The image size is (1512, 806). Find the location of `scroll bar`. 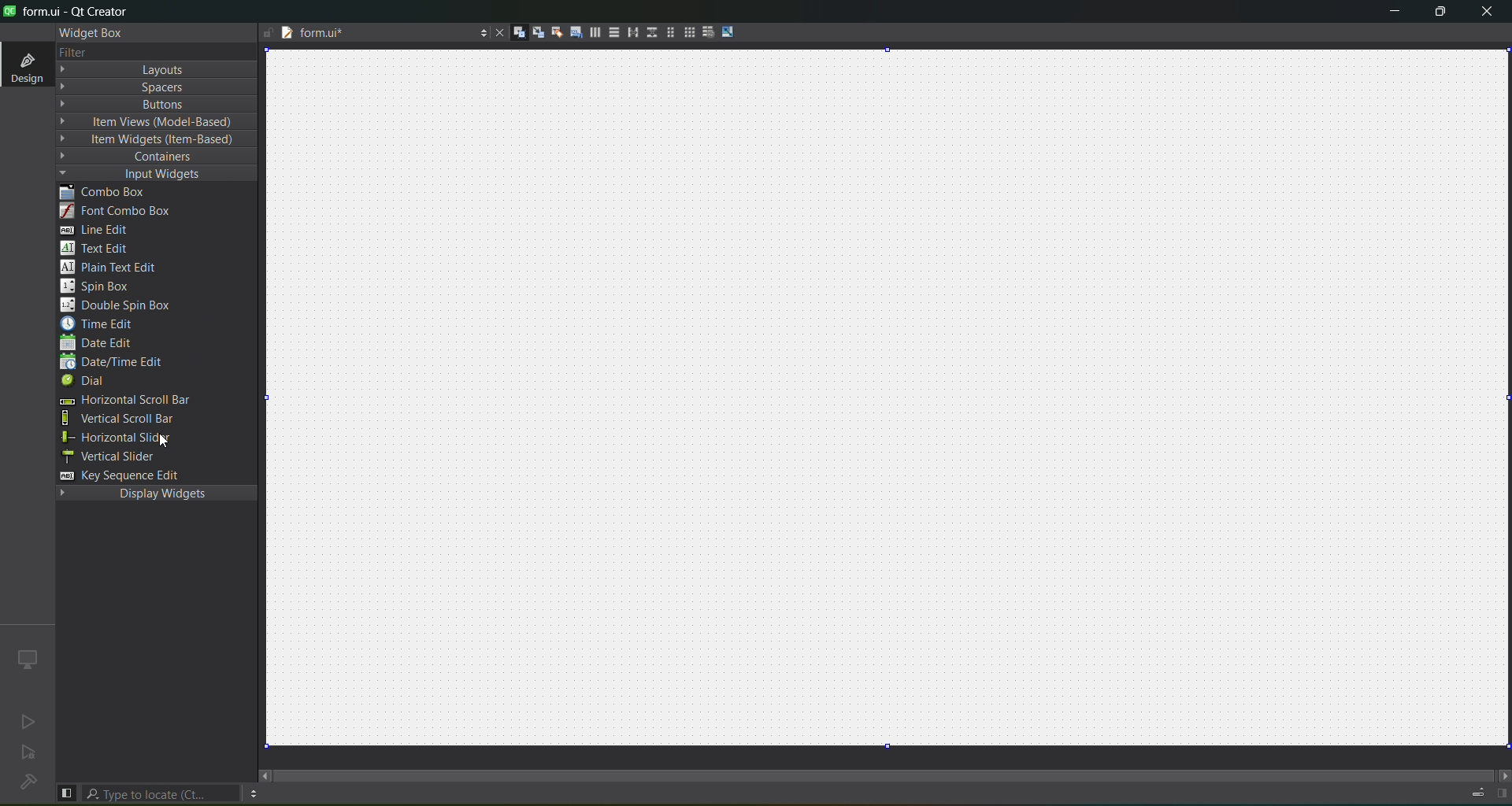

scroll bar is located at coordinates (892, 775).